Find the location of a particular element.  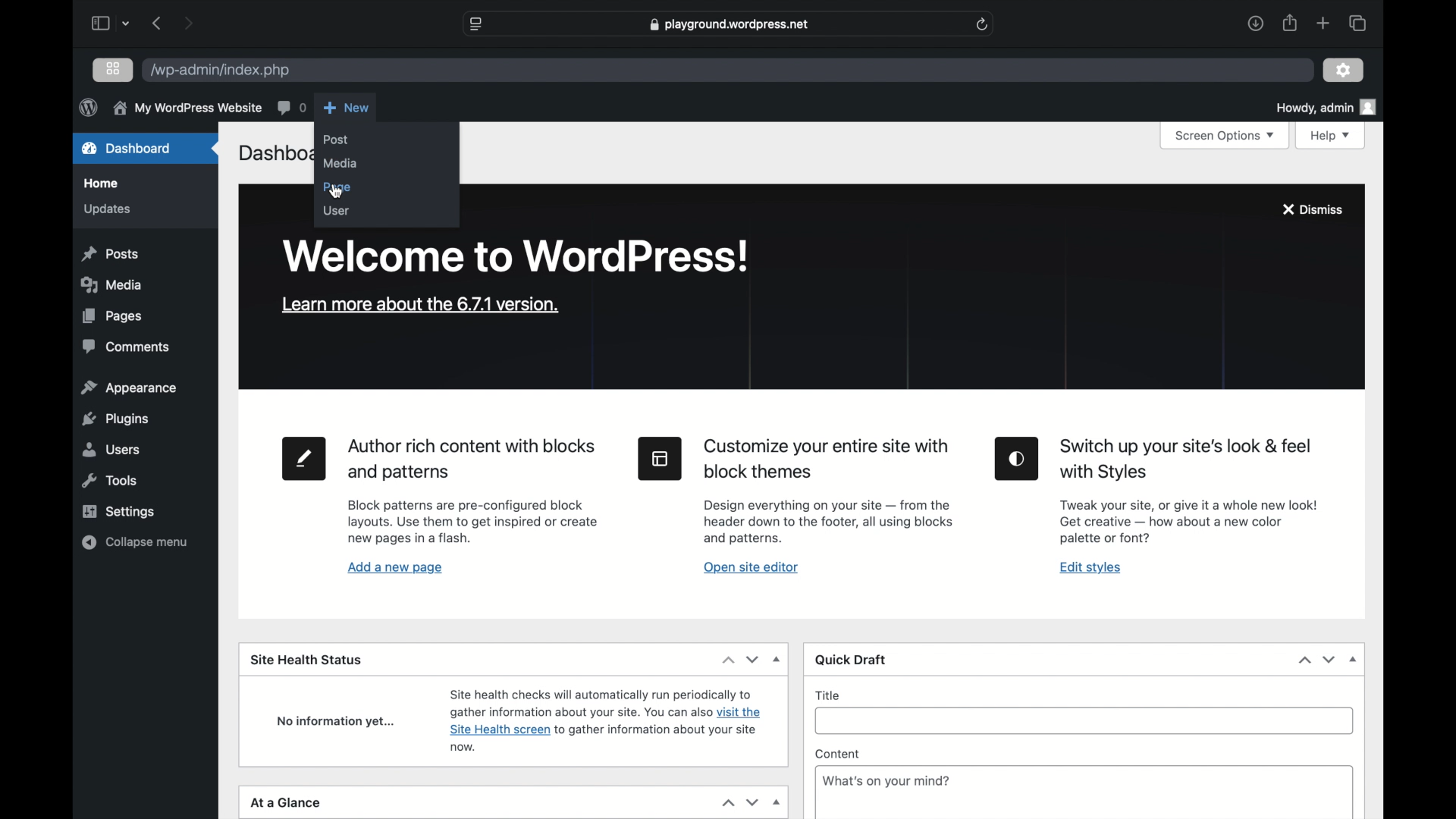

wordpress address is located at coordinates (221, 71).